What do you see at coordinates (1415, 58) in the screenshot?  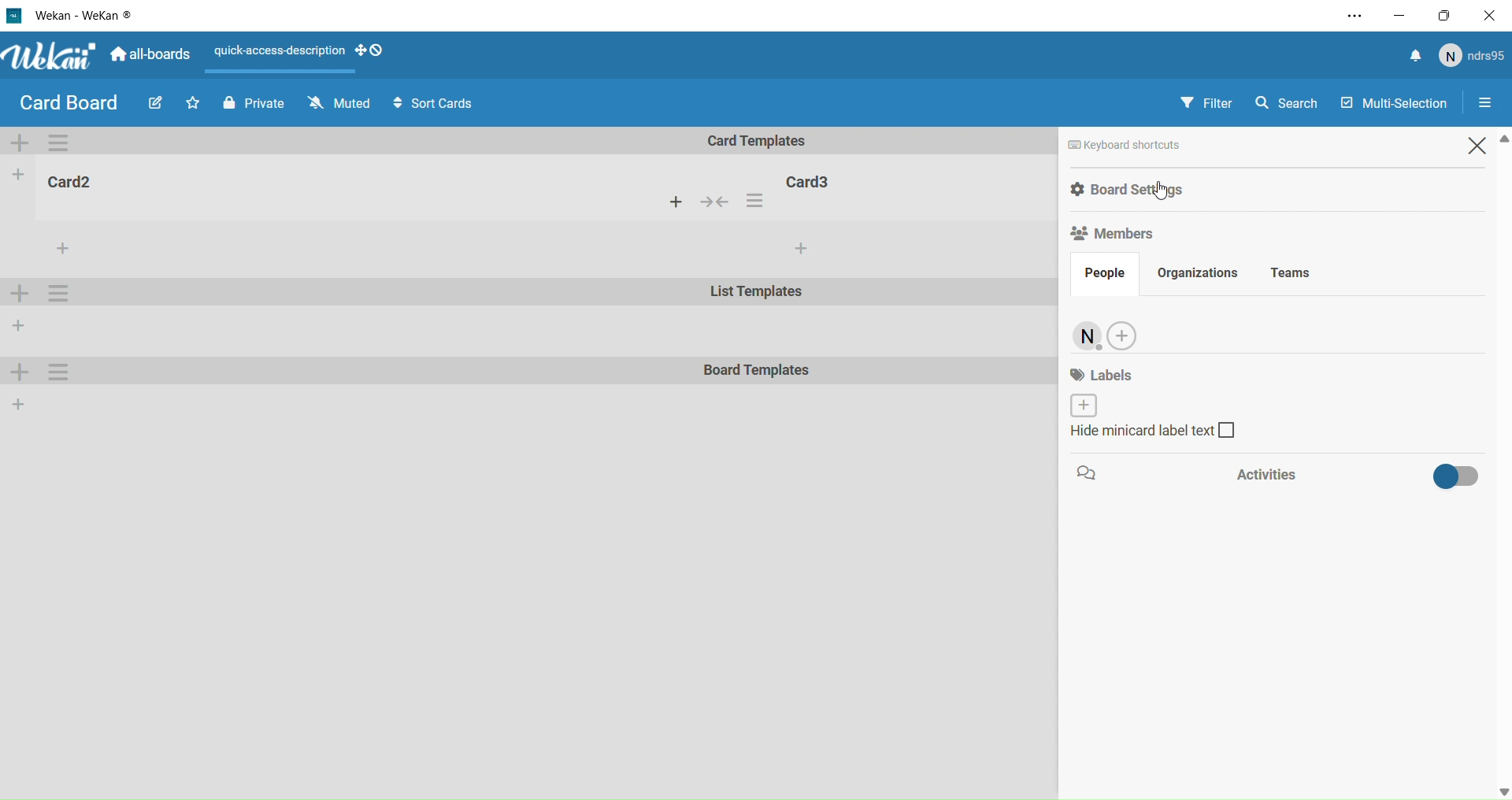 I see `` at bounding box center [1415, 58].